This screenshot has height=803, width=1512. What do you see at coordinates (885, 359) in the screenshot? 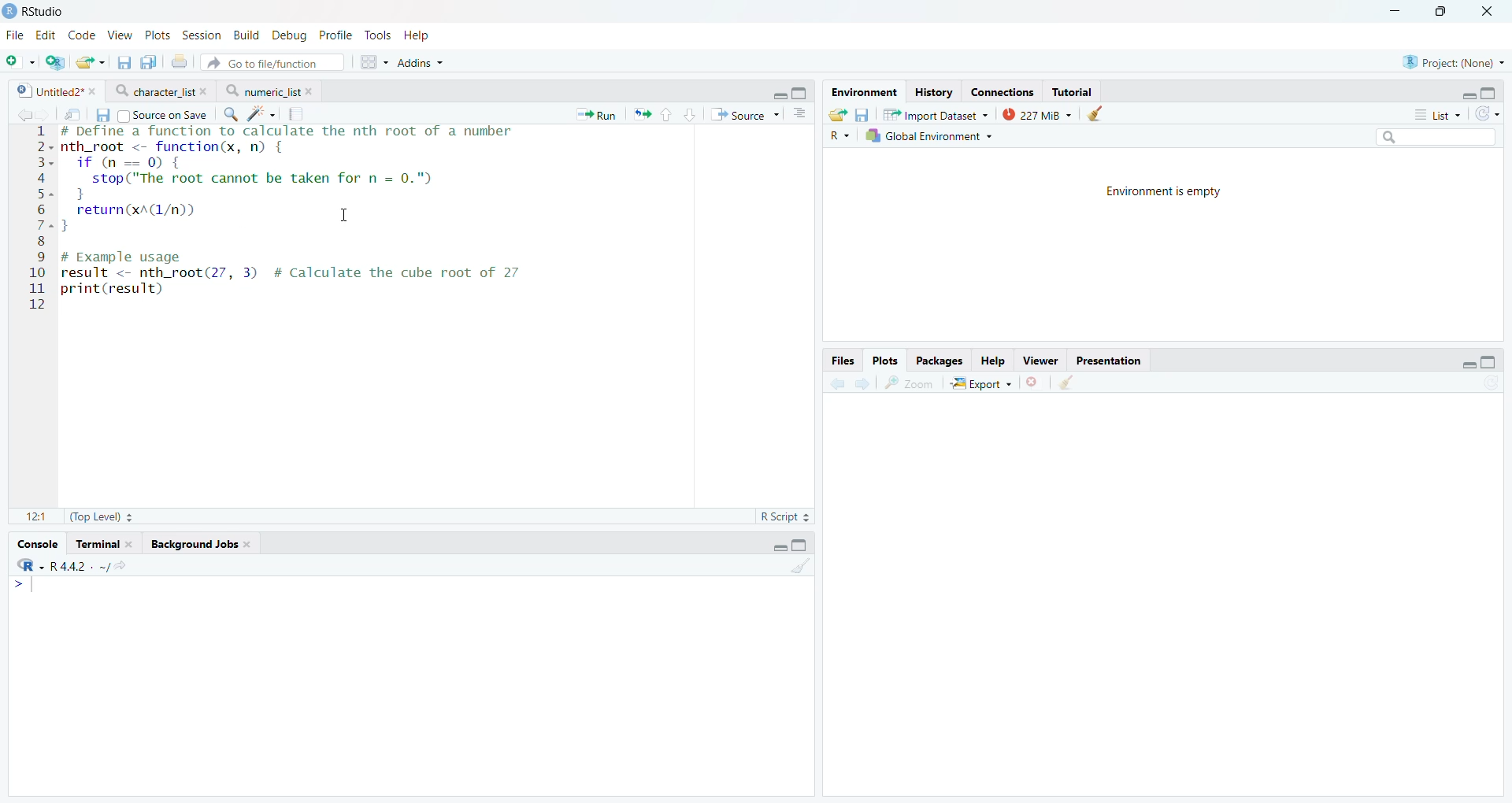
I see `Plots` at bounding box center [885, 359].